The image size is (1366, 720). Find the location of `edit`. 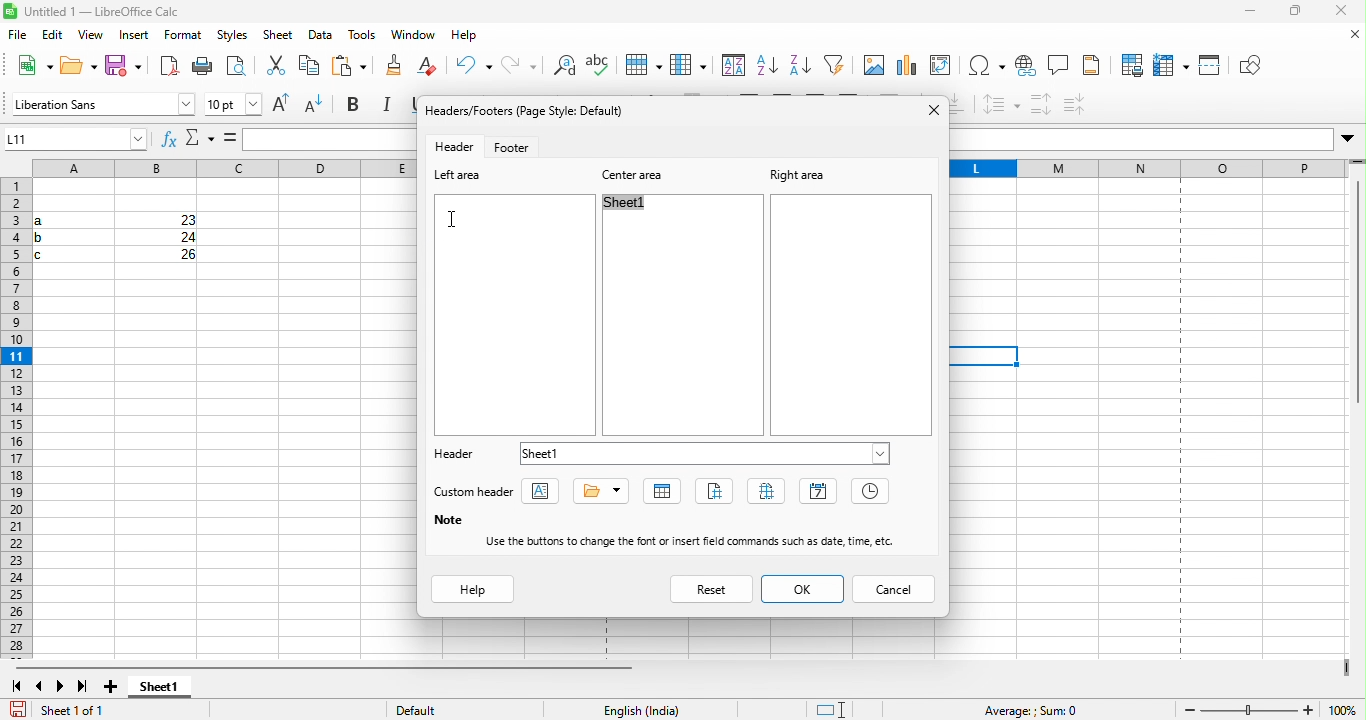

edit is located at coordinates (54, 37).